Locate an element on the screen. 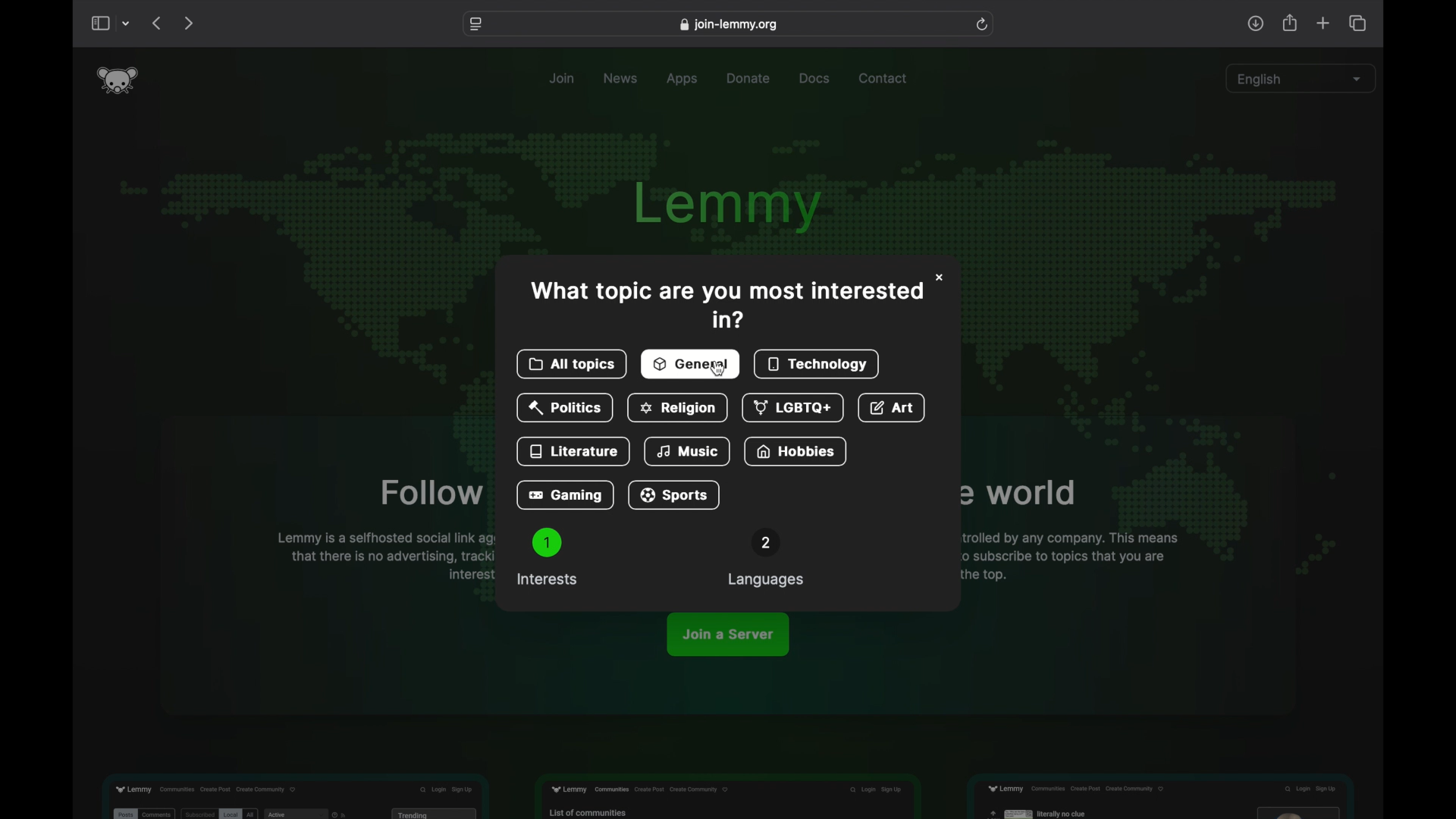 This screenshot has height=819, width=1456. contact is located at coordinates (883, 79).